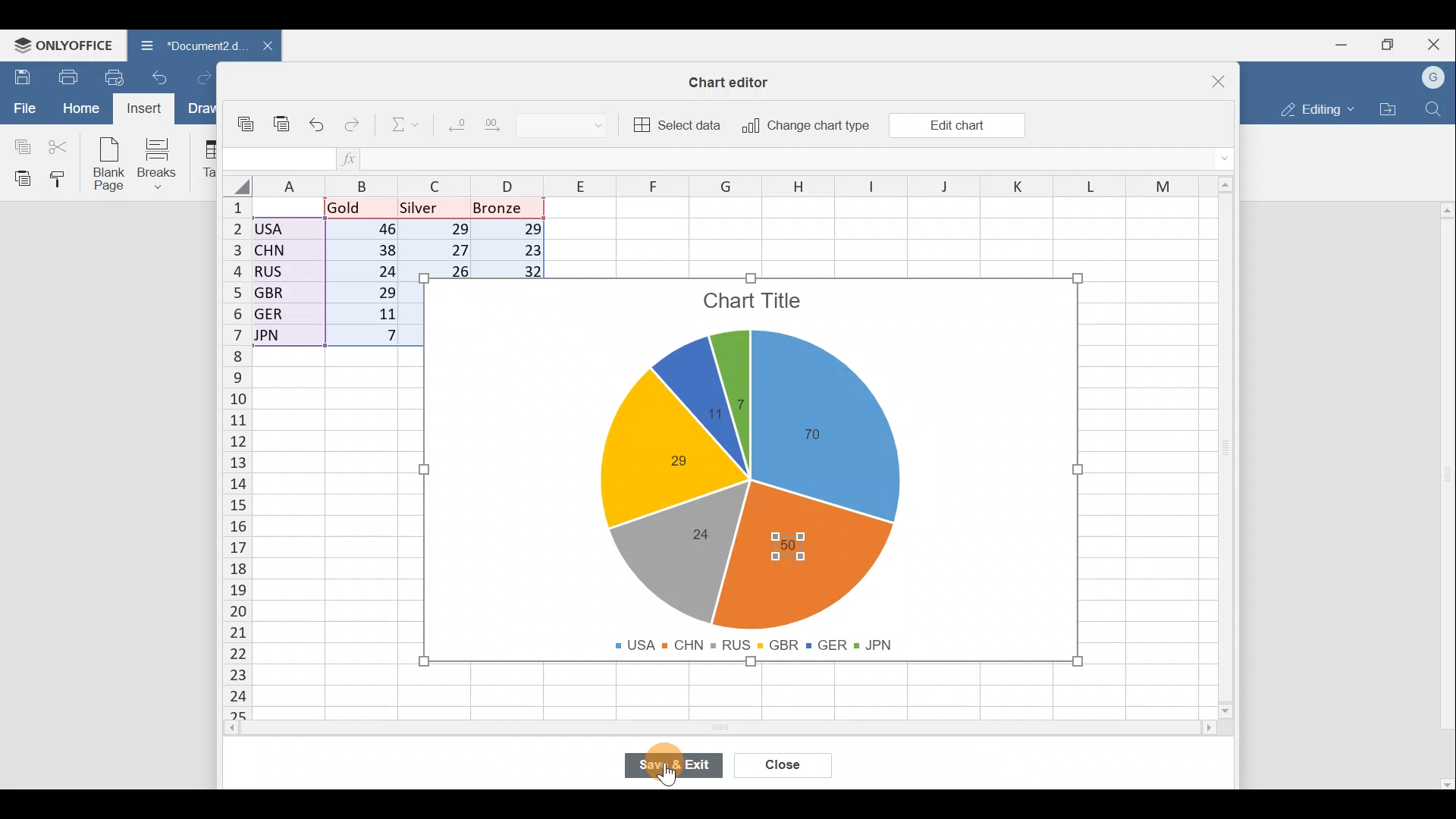  What do you see at coordinates (23, 107) in the screenshot?
I see `File` at bounding box center [23, 107].